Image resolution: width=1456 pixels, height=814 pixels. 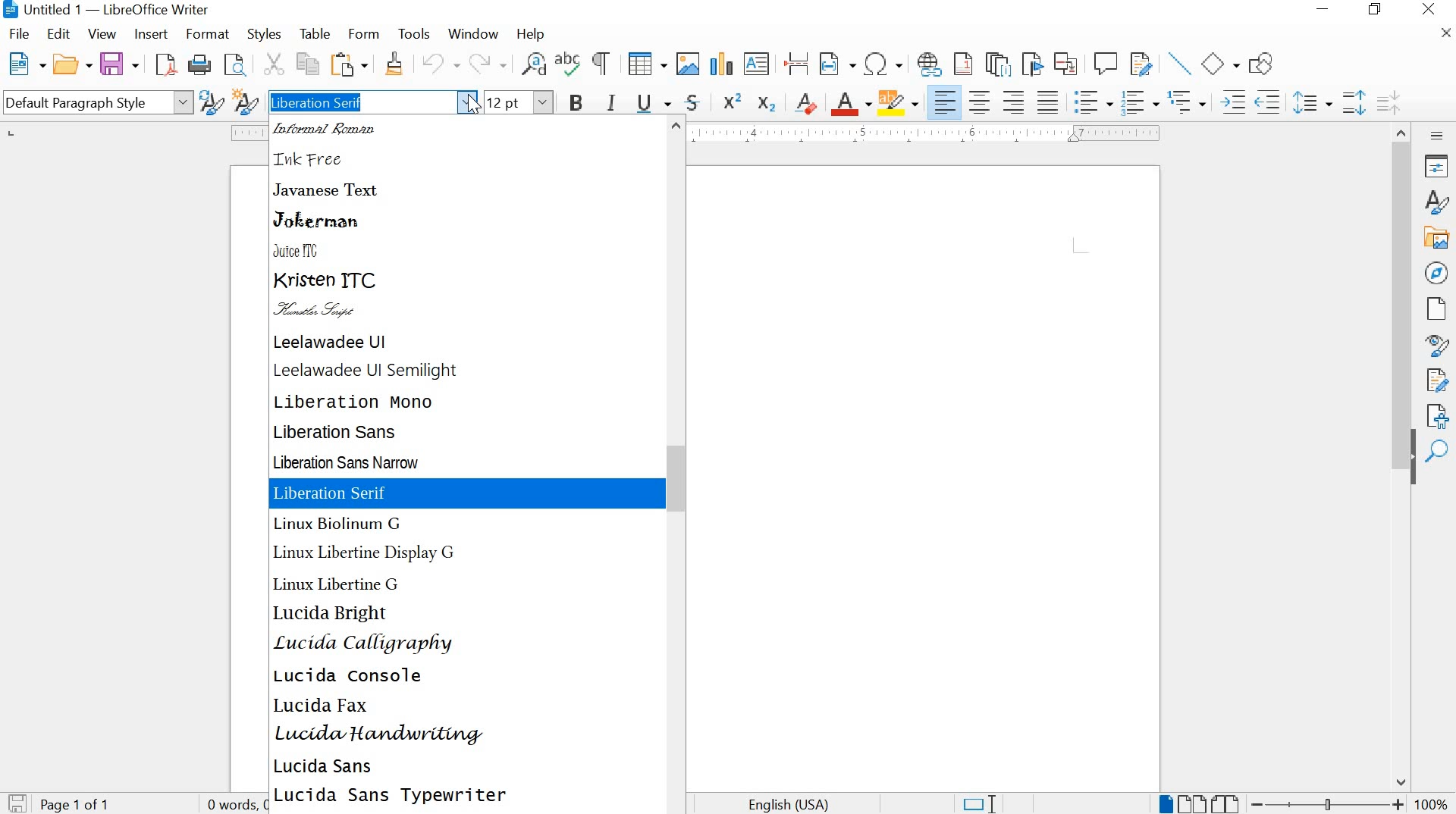 What do you see at coordinates (836, 65) in the screenshot?
I see `INSERT FIELD` at bounding box center [836, 65].